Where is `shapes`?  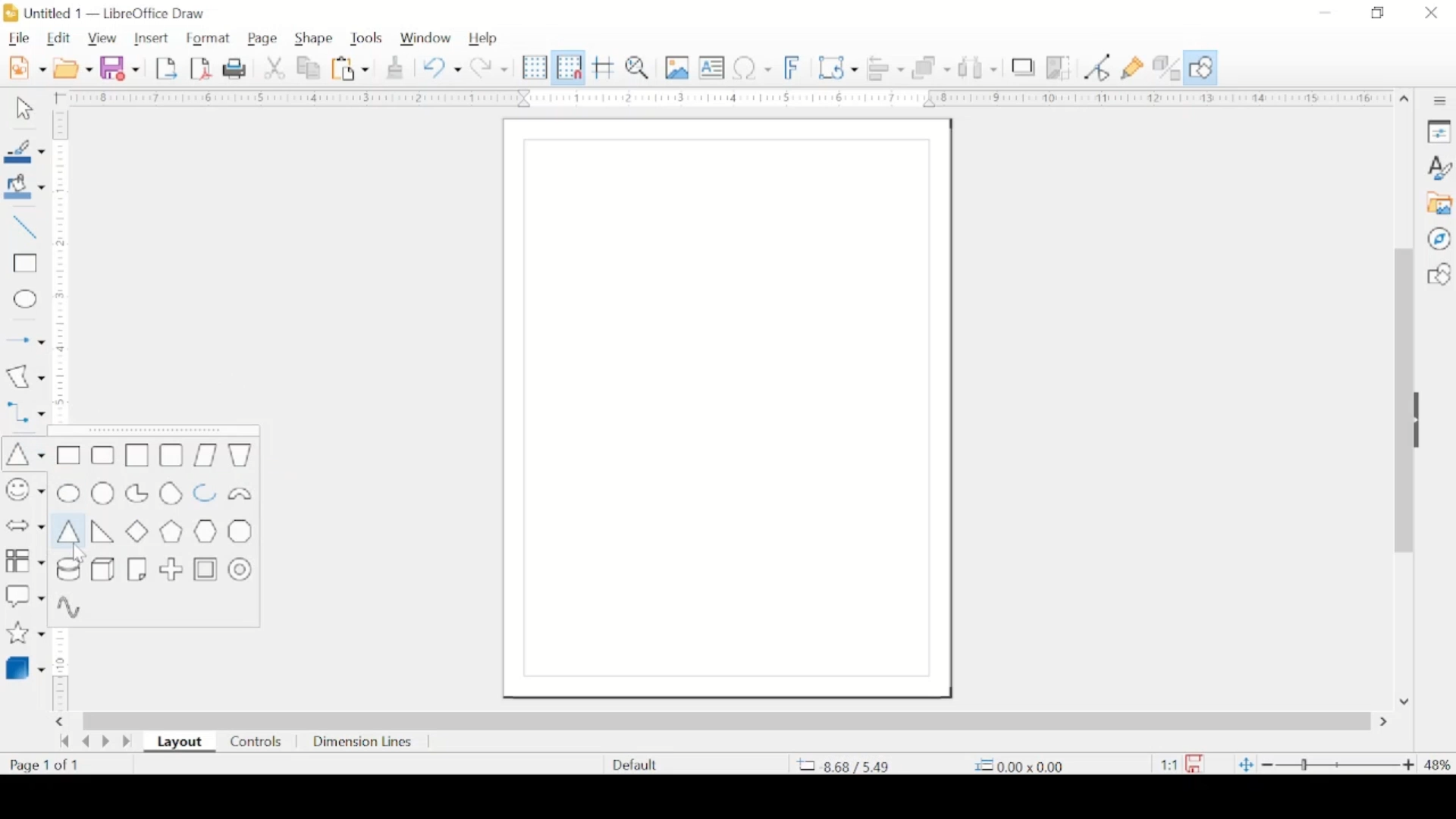
shapes is located at coordinates (1439, 275).